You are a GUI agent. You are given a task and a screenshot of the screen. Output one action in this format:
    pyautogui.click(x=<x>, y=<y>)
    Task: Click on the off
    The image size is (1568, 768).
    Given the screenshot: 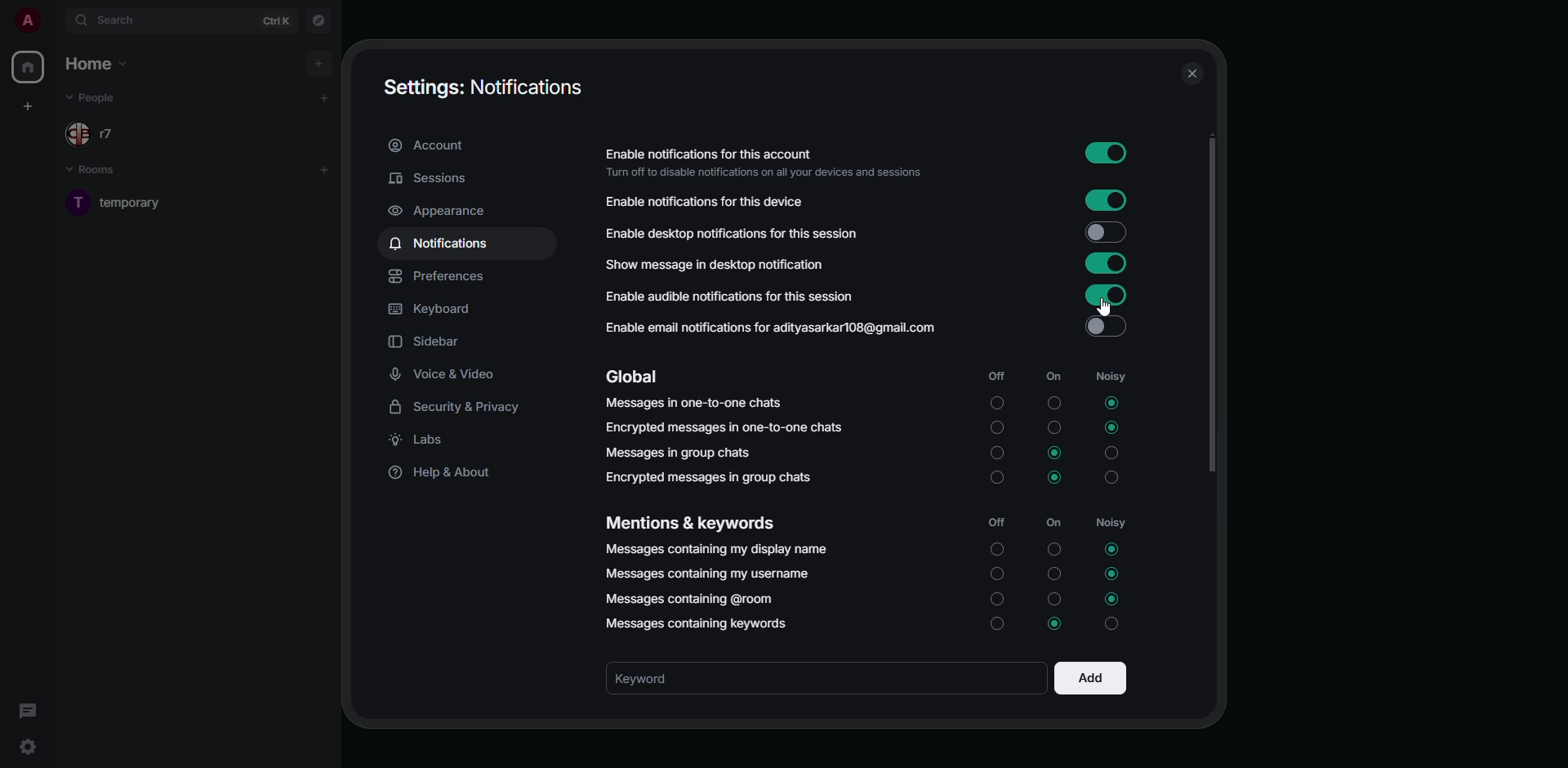 What is the action you would take?
    pyautogui.click(x=996, y=550)
    